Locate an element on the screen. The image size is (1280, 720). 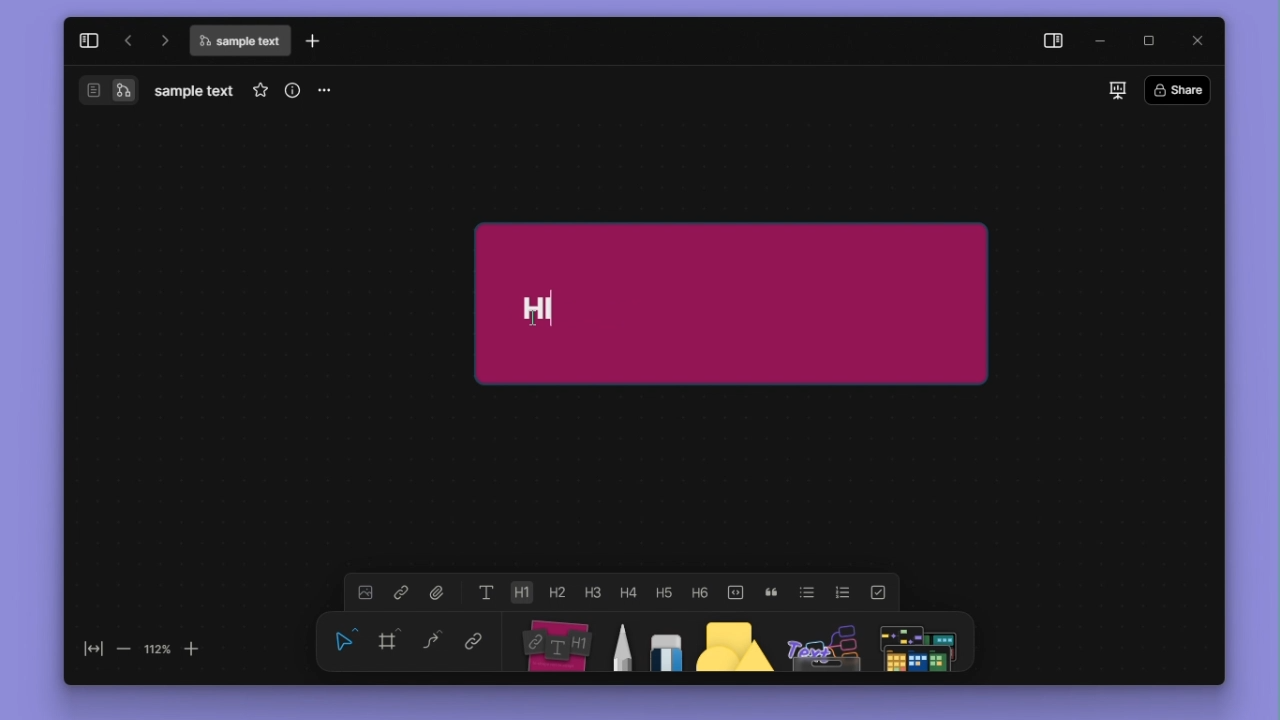
go forward is located at coordinates (163, 40).